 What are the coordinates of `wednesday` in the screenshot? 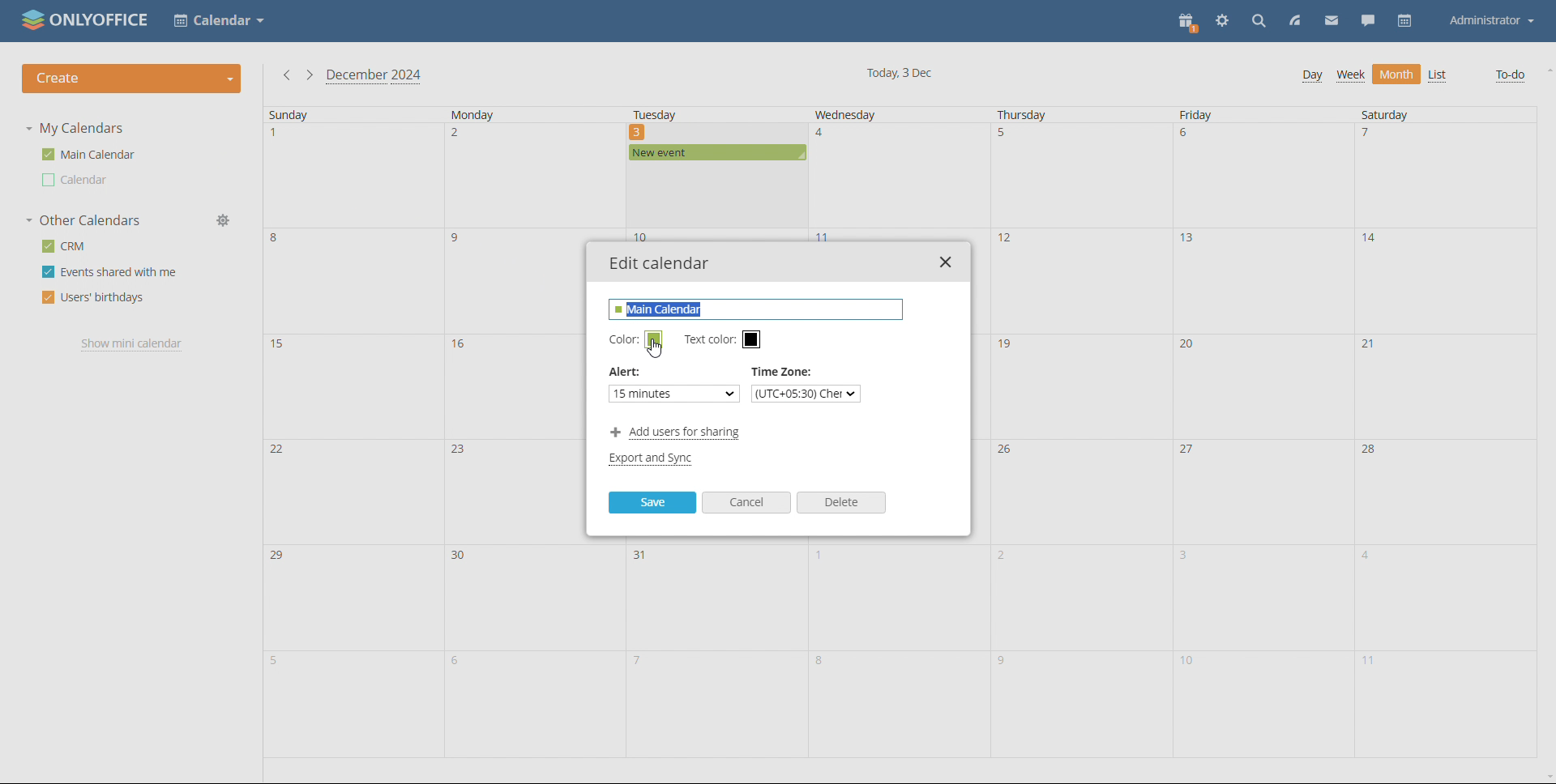 It's located at (867, 114).